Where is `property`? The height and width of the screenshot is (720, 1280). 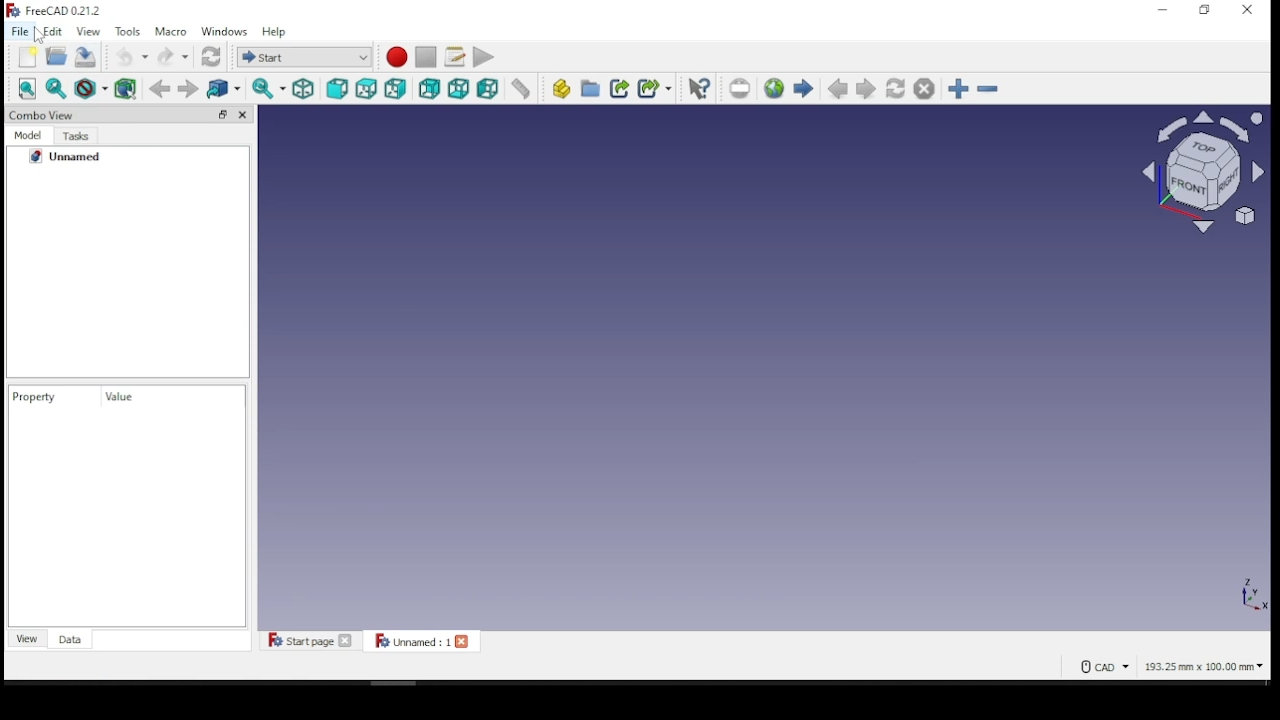 property is located at coordinates (41, 397).